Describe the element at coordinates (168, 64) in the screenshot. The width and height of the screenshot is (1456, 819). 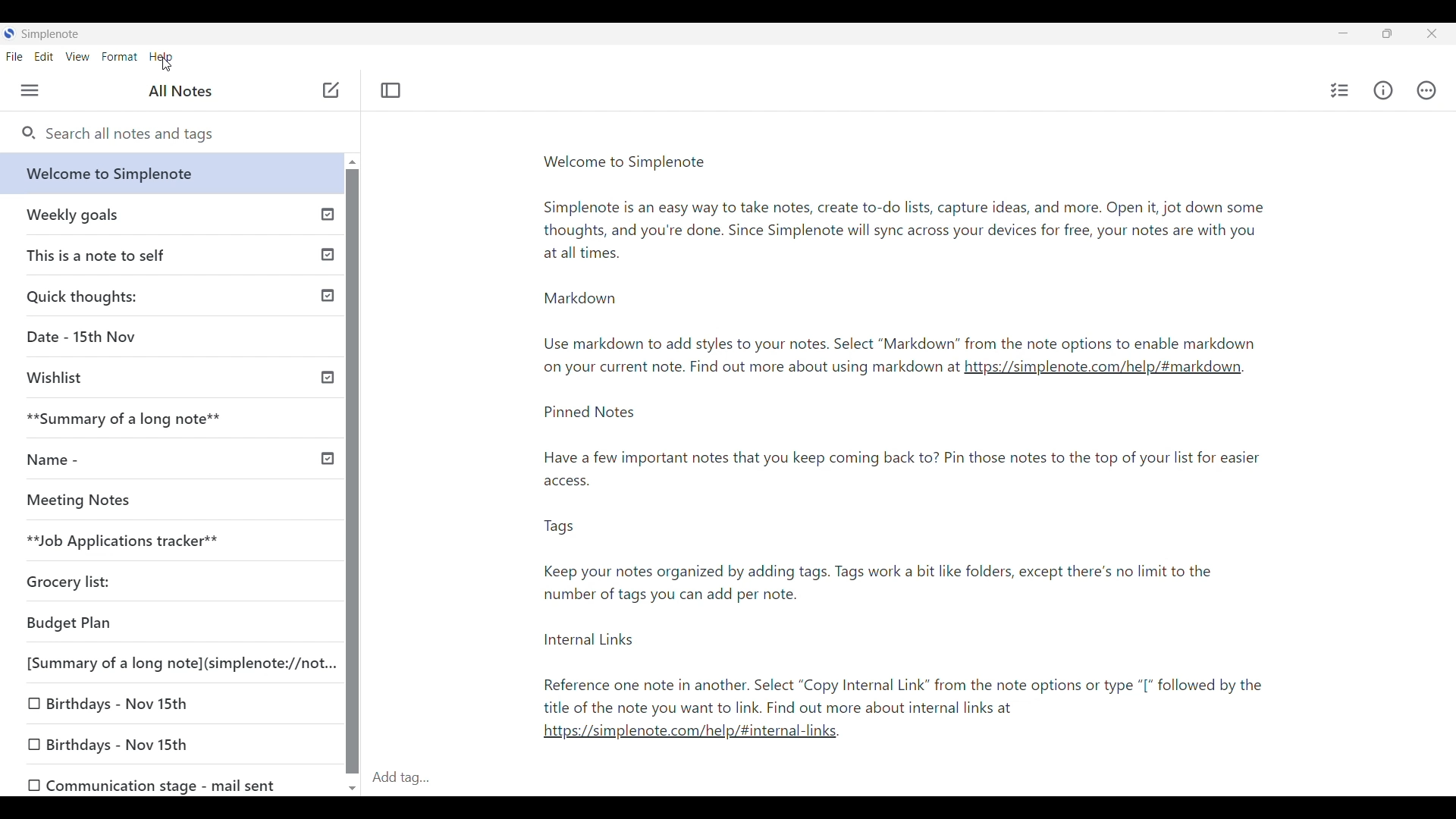
I see `cursor` at that location.